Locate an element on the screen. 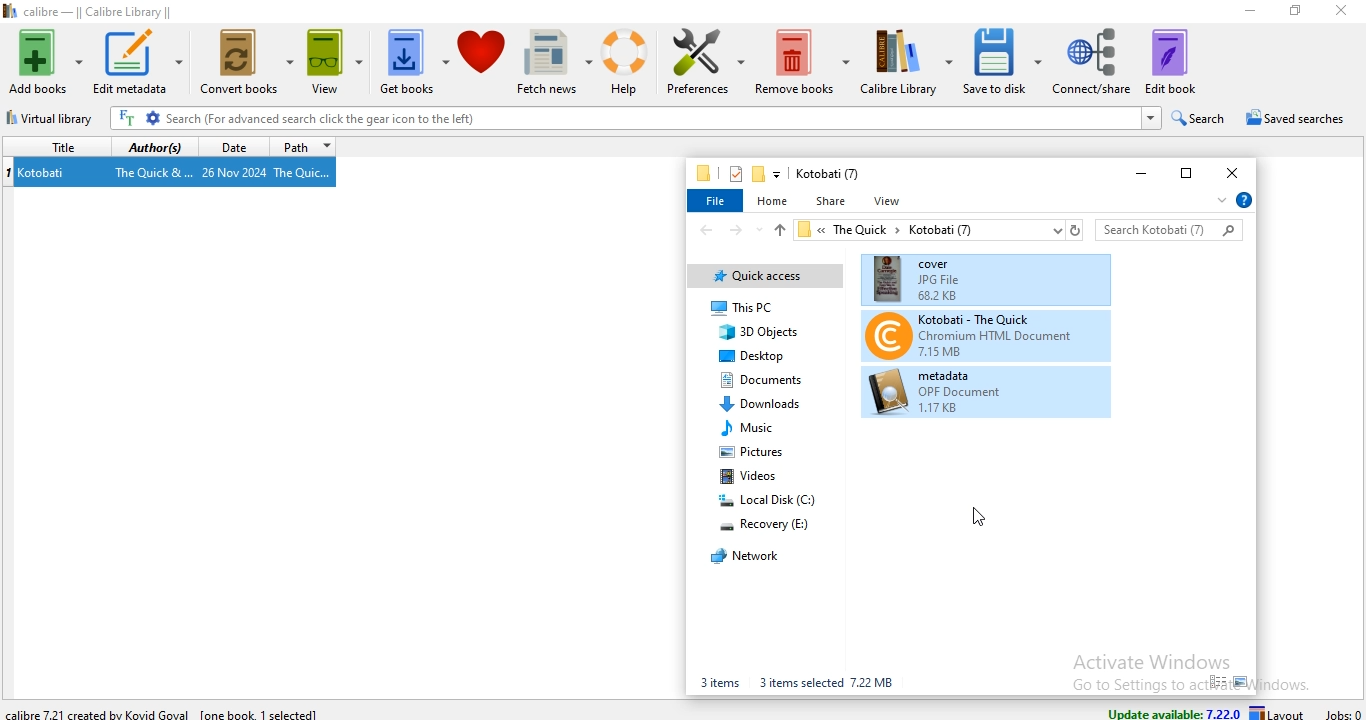 The image size is (1366, 720). add books is located at coordinates (45, 62).